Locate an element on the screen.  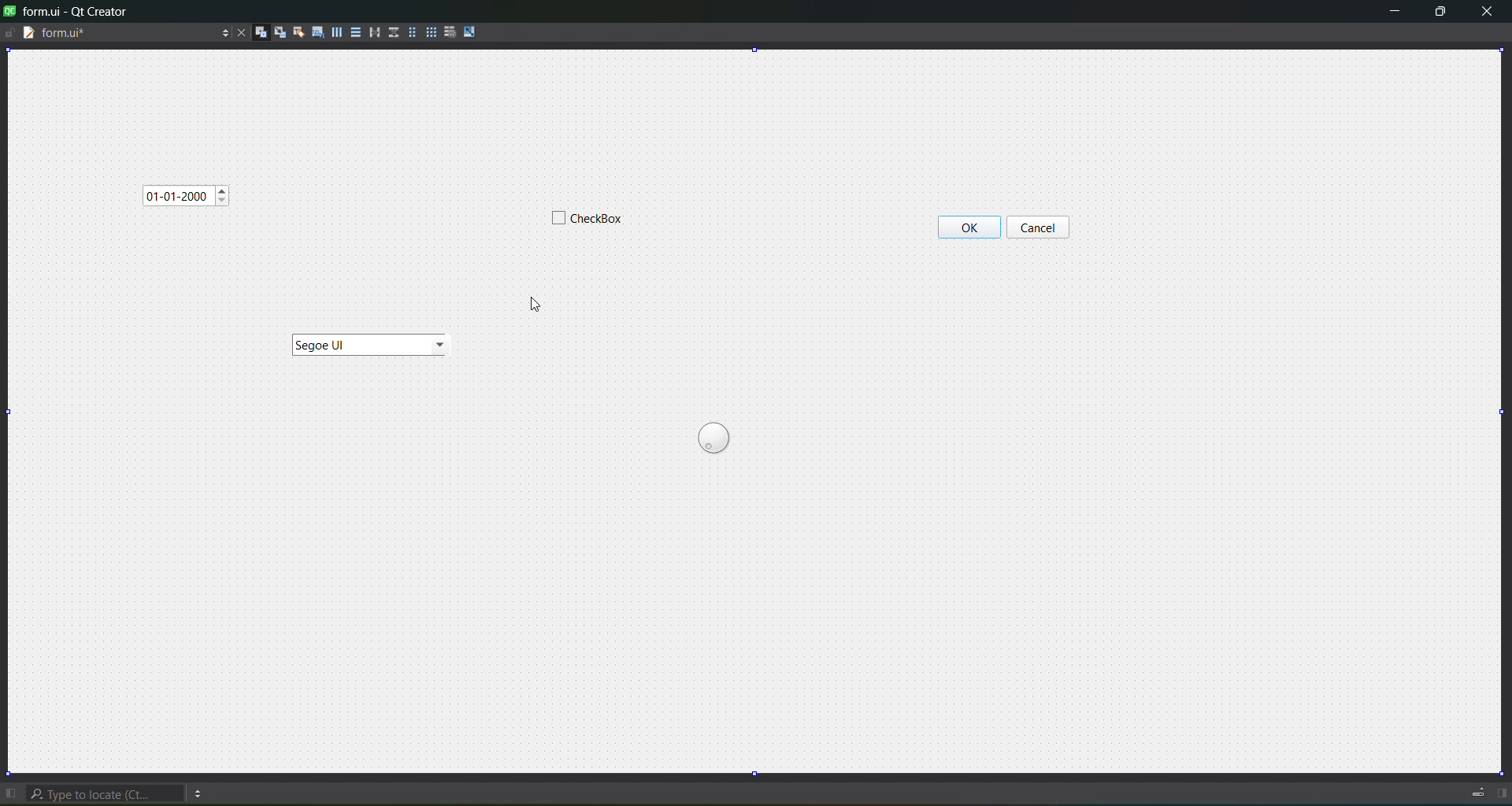
Layout Vertically is located at coordinates (354, 31).